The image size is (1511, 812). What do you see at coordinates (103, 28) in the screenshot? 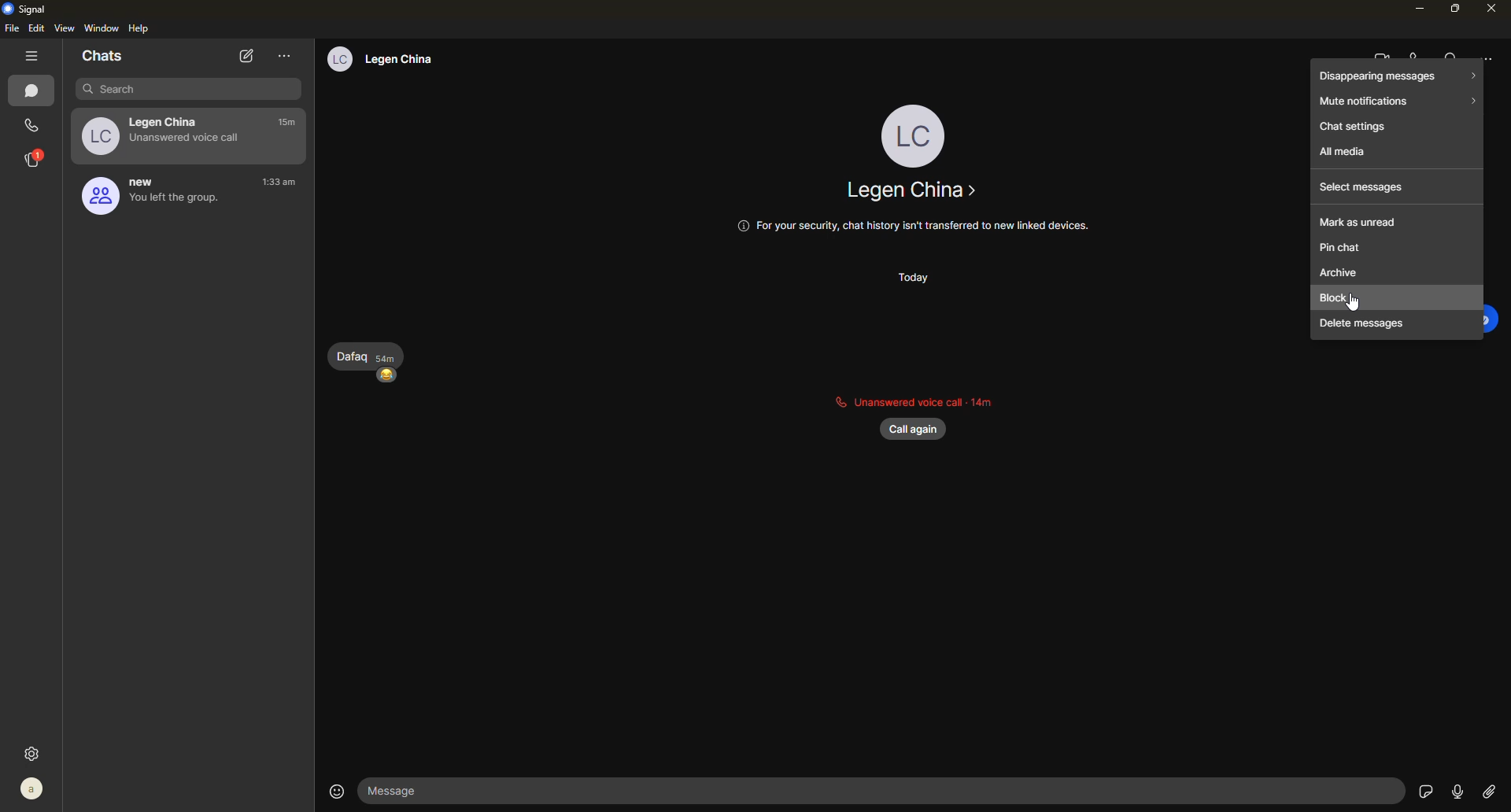
I see `window` at bounding box center [103, 28].